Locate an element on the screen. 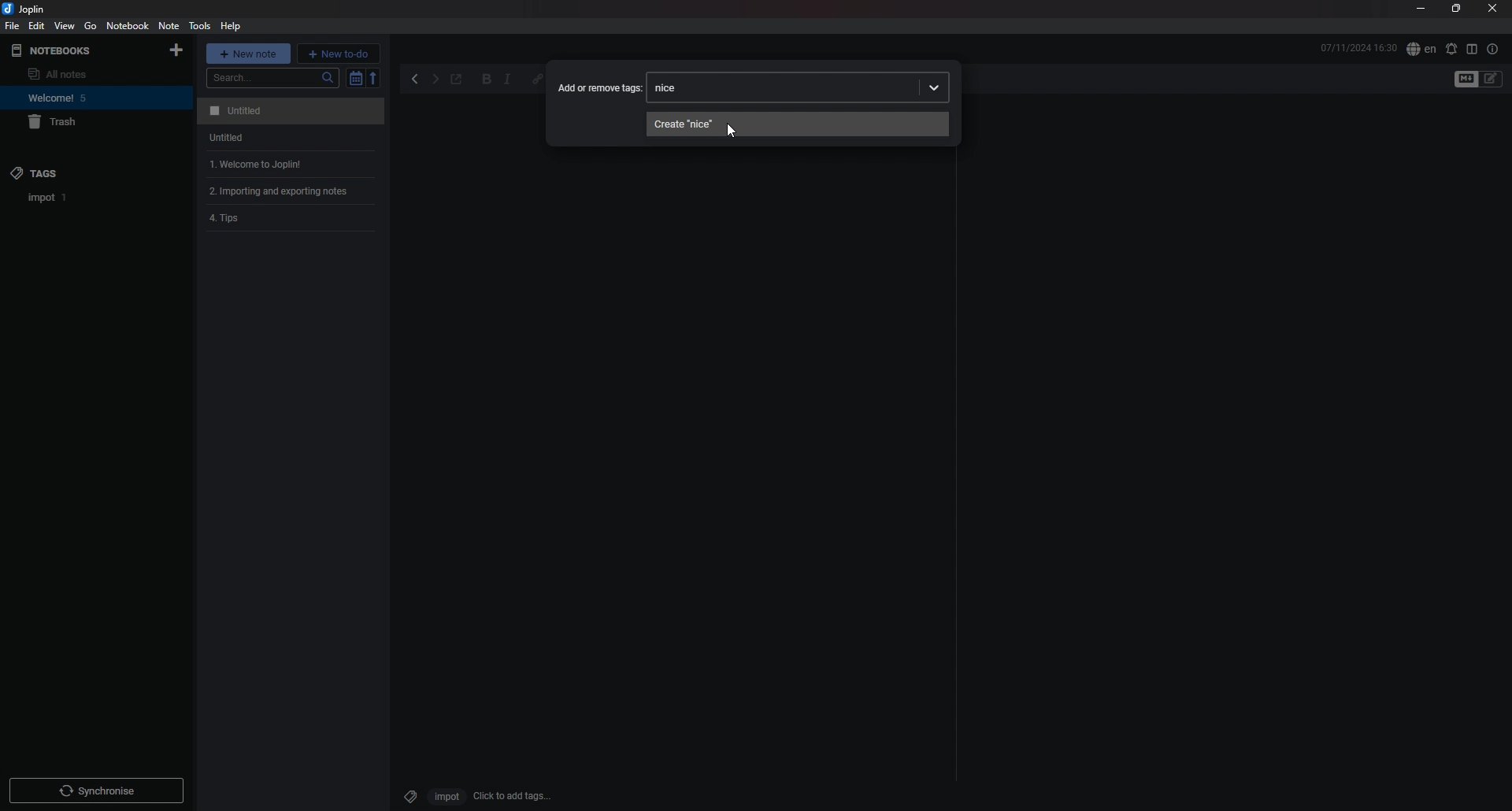 The height and width of the screenshot is (811, 1512). bold is located at coordinates (487, 80).